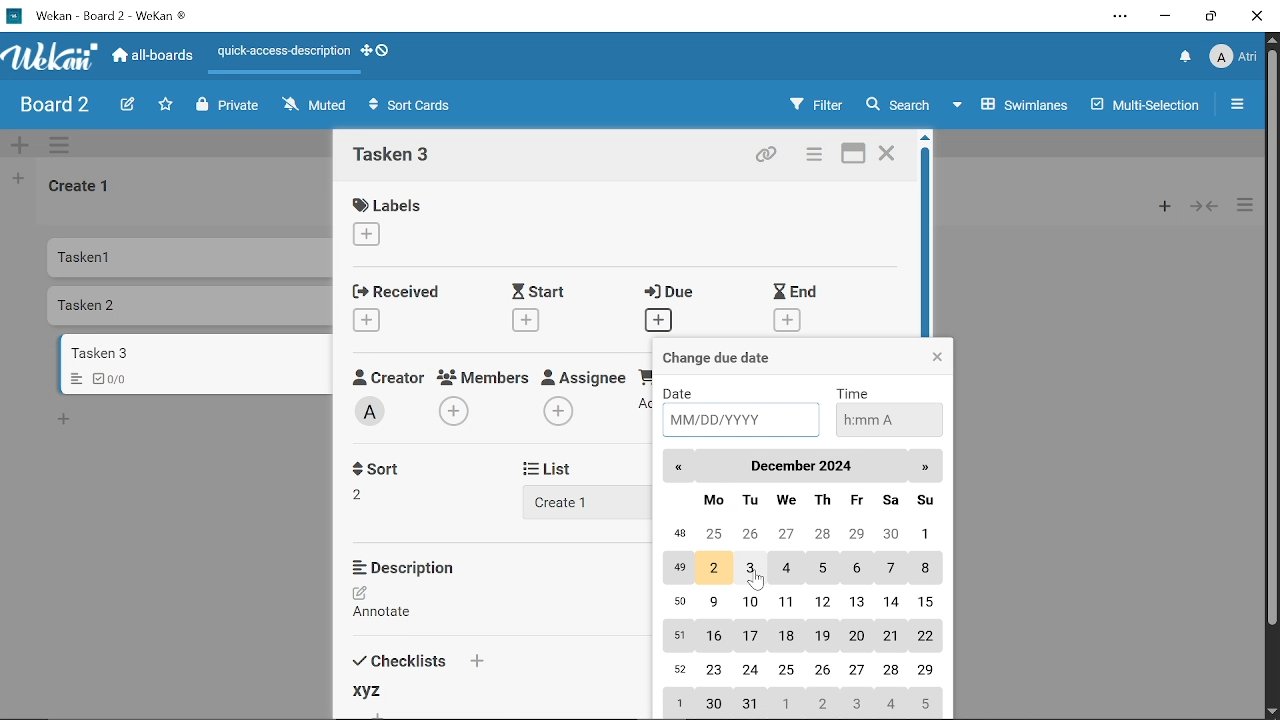 This screenshot has height=720, width=1280. What do you see at coordinates (382, 467) in the screenshot?
I see `Sort` at bounding box center [382, 467].